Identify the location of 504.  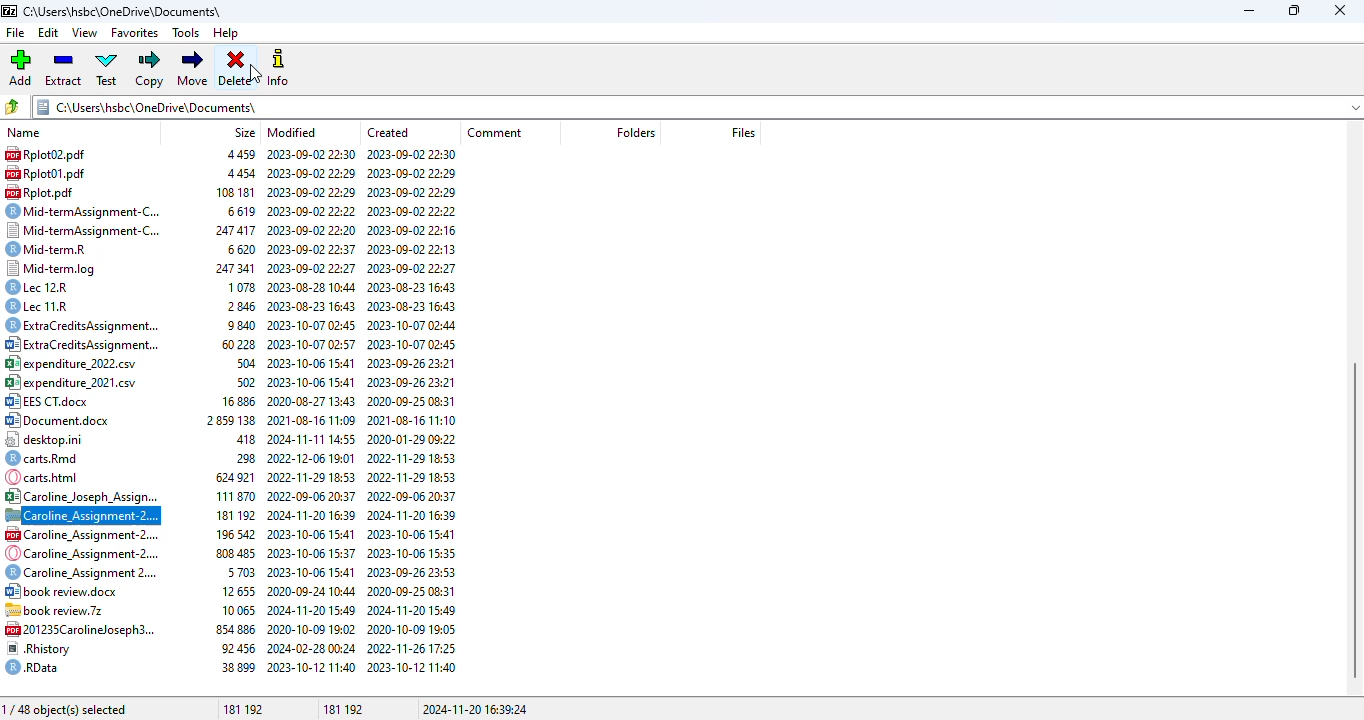
(243, 363).